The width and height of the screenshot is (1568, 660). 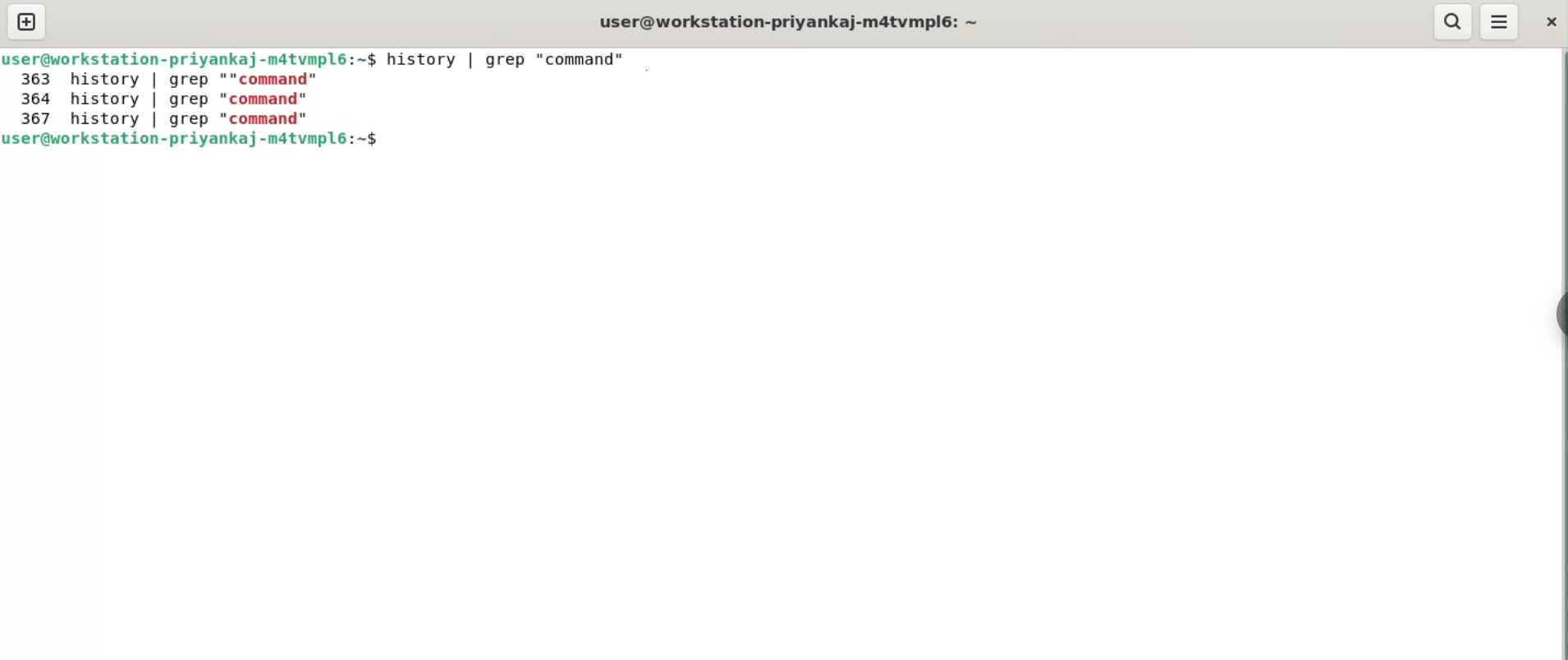 What do you see at coordinates (1546, 22) in the screenshot?
I see `close` at bounding box center [1546, 22].